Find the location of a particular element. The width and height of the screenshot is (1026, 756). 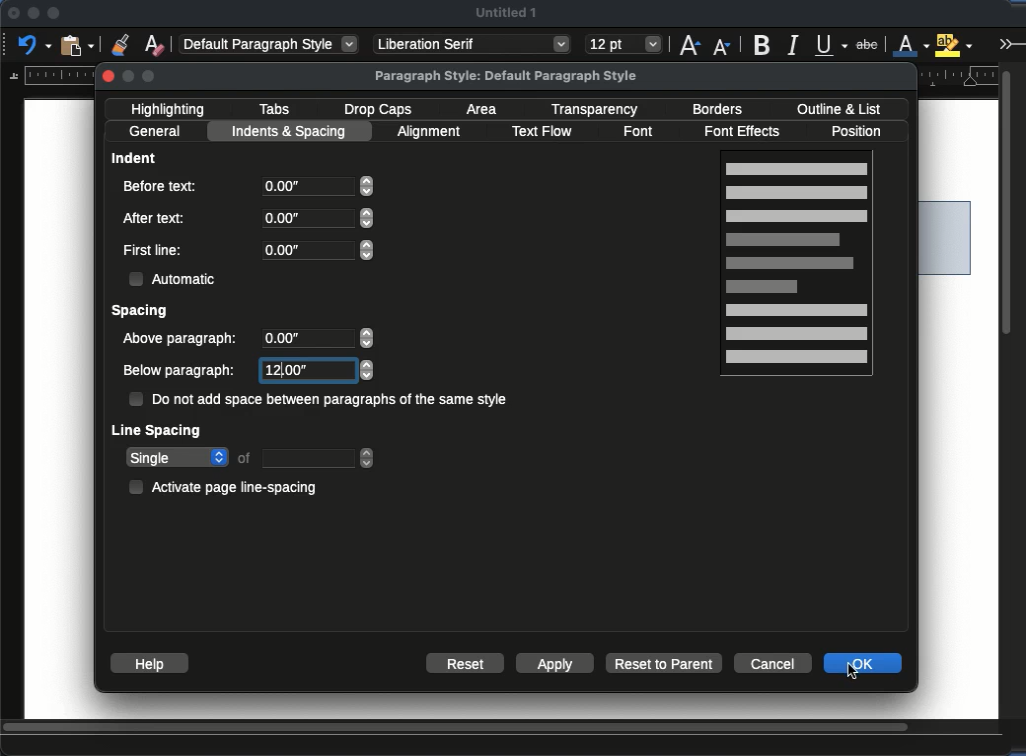

Liberation serif - font is located at coordinates (473, 44).